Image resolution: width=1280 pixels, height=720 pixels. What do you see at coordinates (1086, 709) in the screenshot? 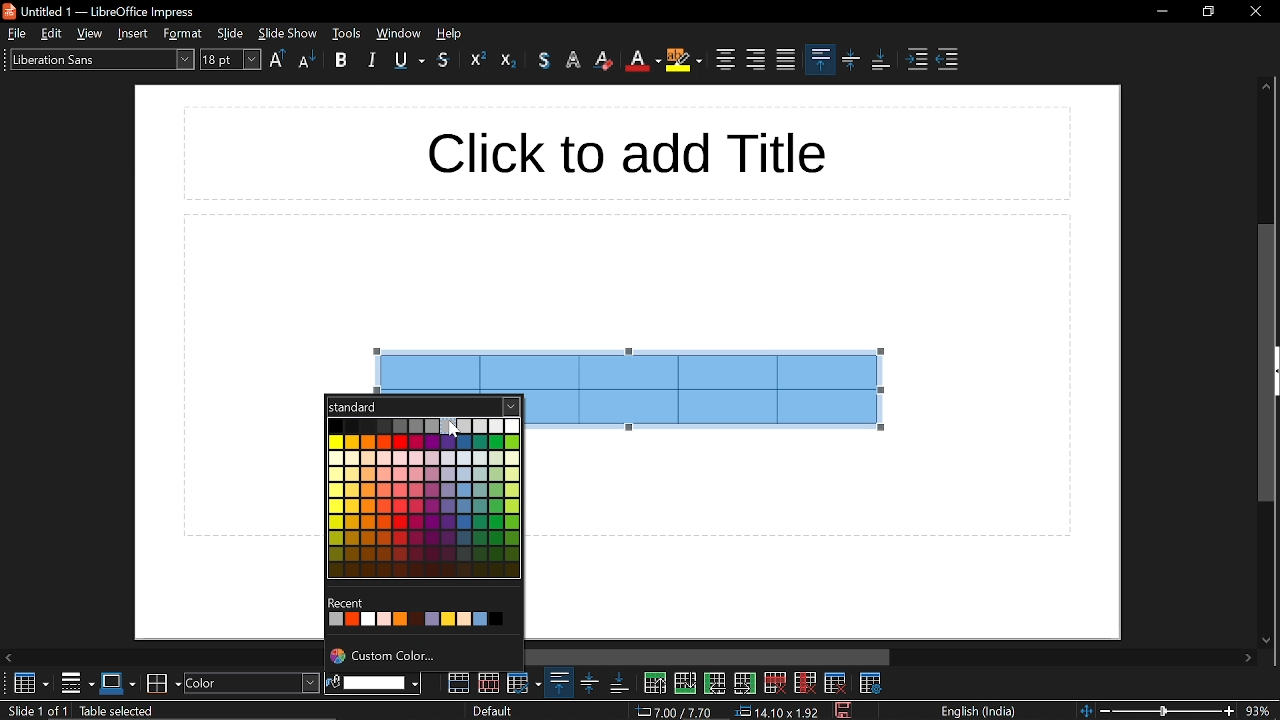
I see `fit to page ` at bounding box center [1086, 709].